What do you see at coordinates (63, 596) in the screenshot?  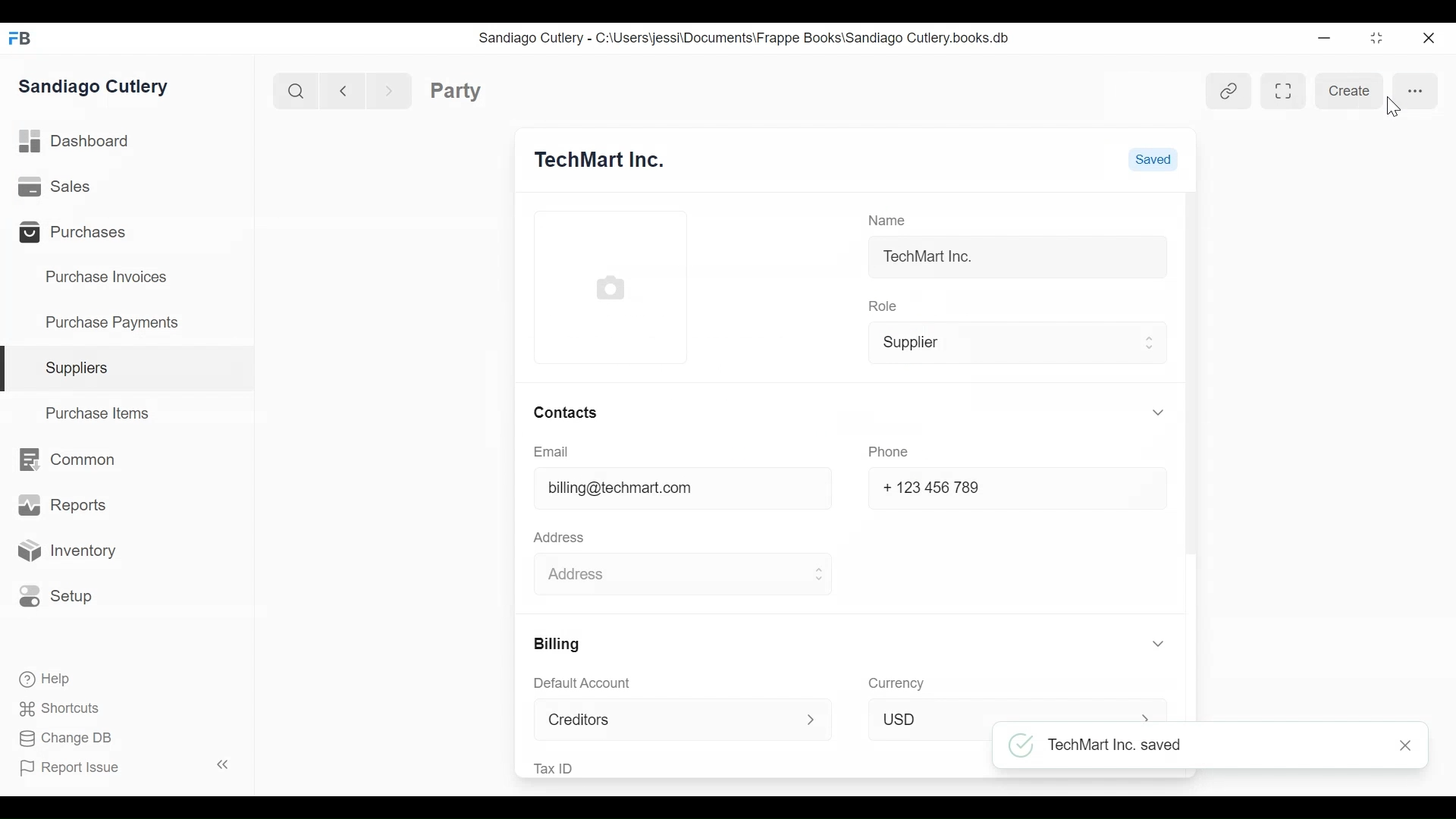 I see `Setup` at bounding box center [63, 596].